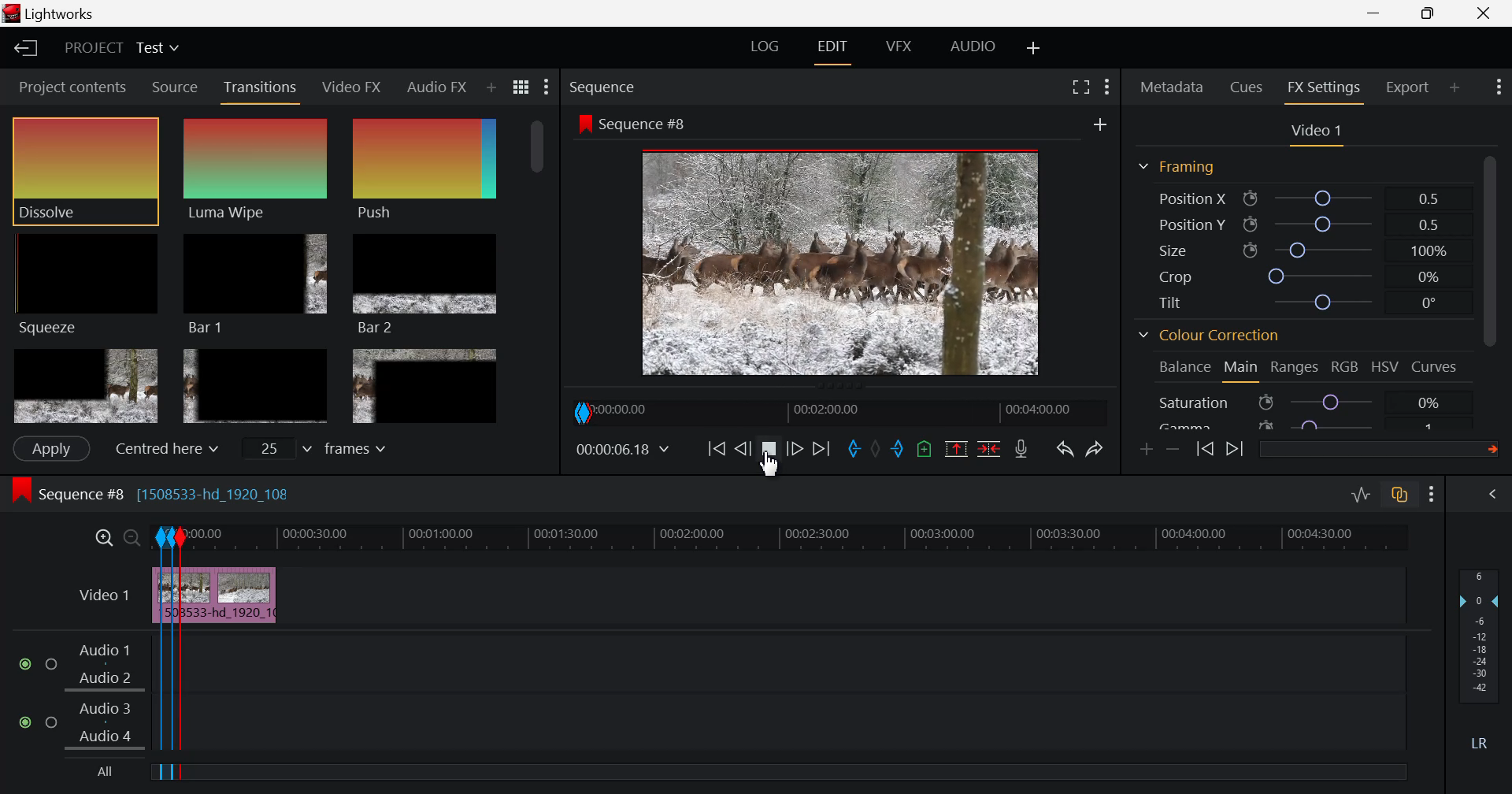 The height and width of the screenshot is (794, 1512). What do you see at coordinates (765, 49) in the screenshot?
I see `LOG` at bounding box center [765, 49].